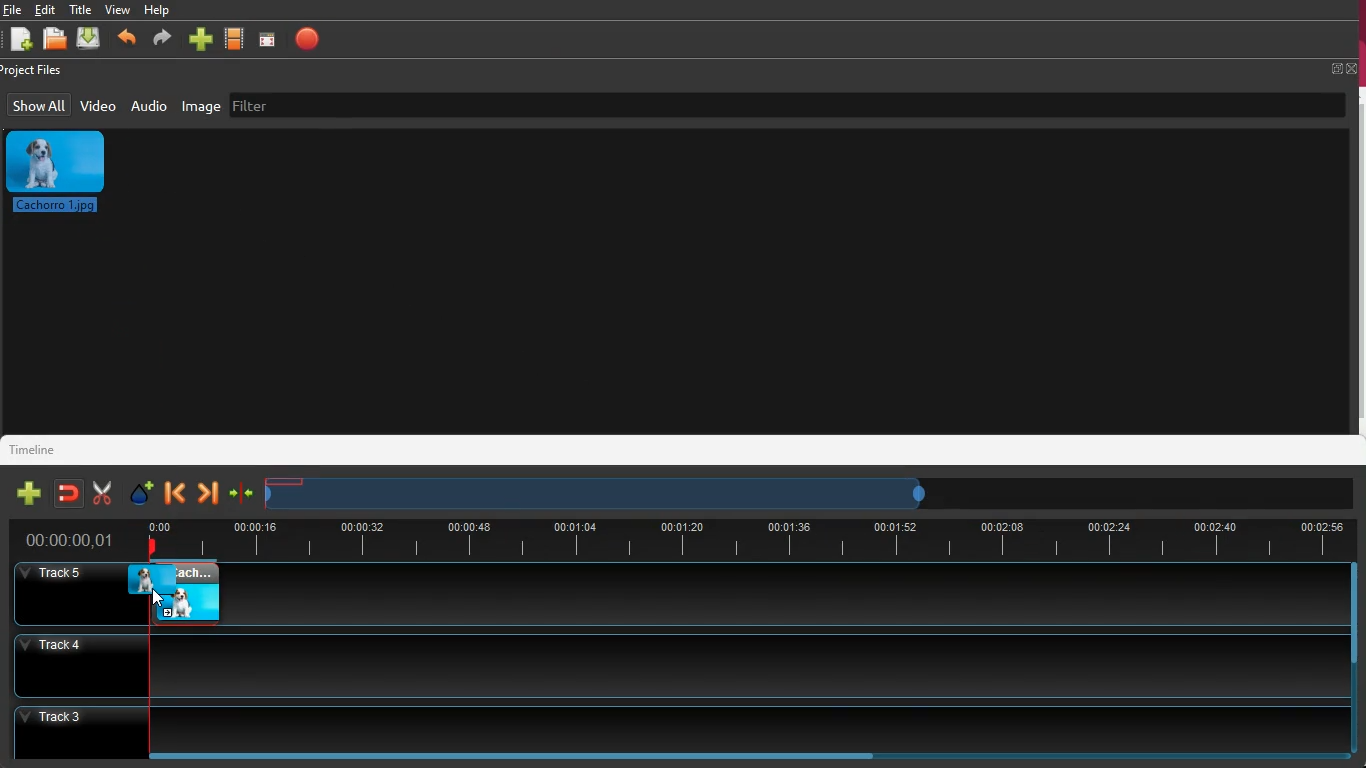 Image resolution: width=1366 pixels, height=768 pixels. What do you see at coordinates (151, 108) in the screenshot?
I see `audio` at bounding box center [151, 108].